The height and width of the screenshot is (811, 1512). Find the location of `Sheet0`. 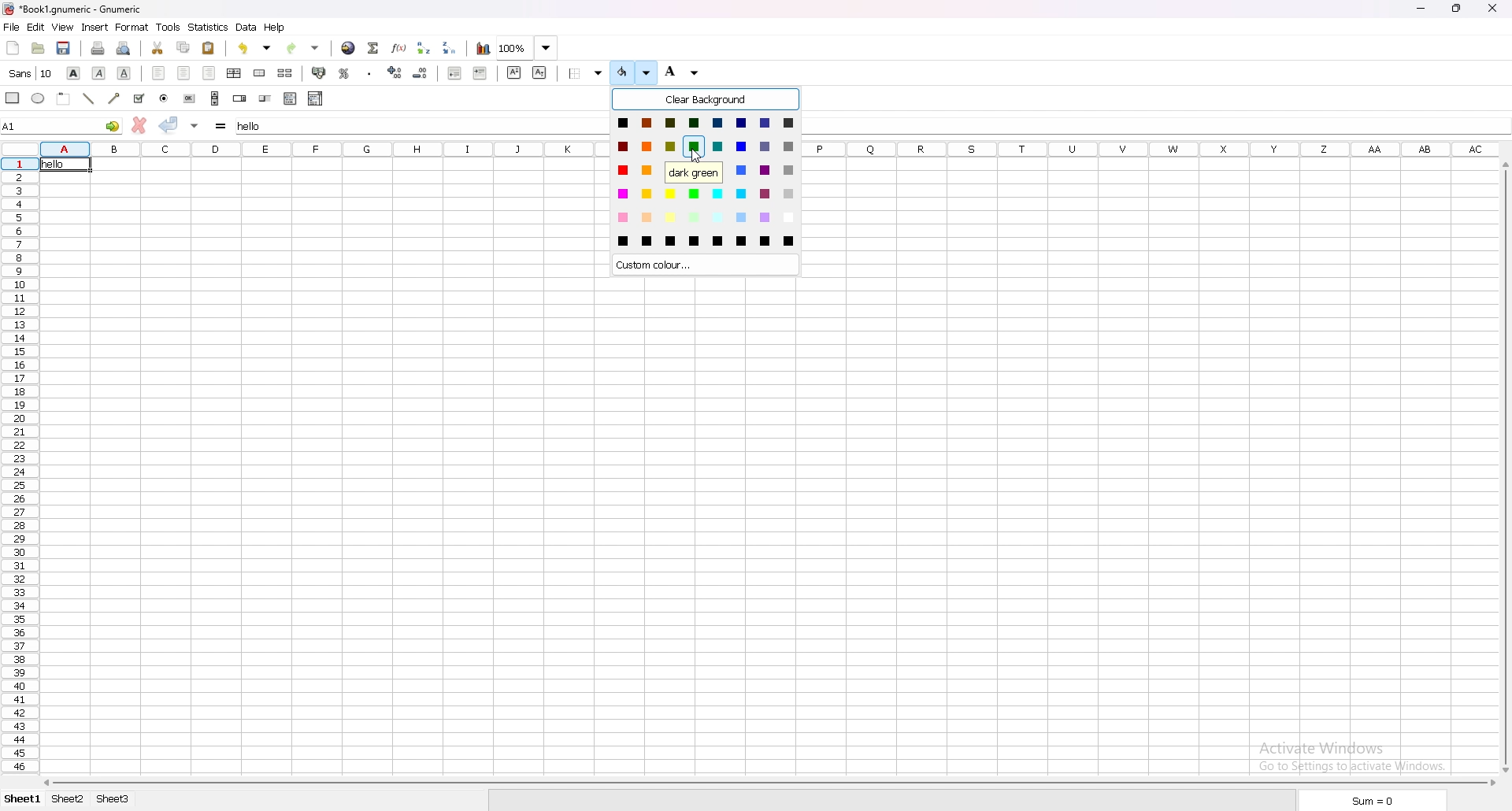

Sheet0 is located at coordinates (126, 801).